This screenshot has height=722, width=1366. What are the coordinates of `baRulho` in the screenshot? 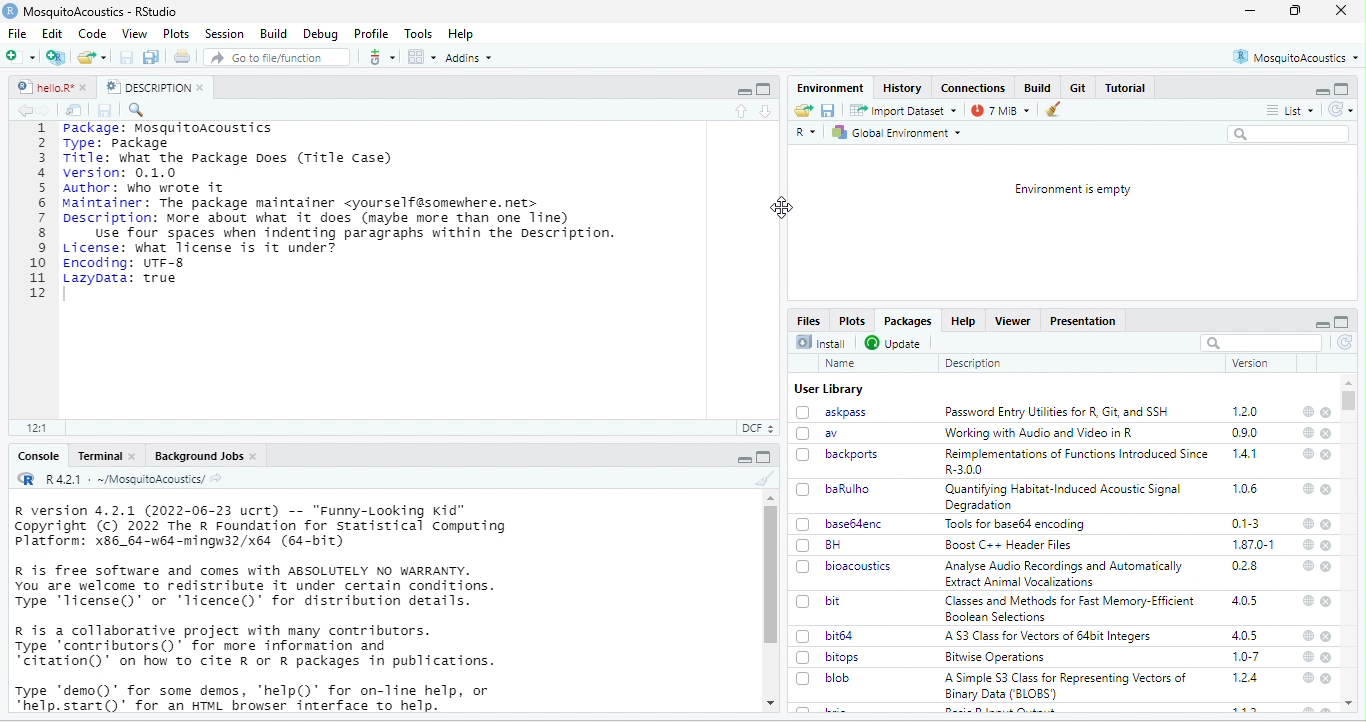 It's located at (832, 488).